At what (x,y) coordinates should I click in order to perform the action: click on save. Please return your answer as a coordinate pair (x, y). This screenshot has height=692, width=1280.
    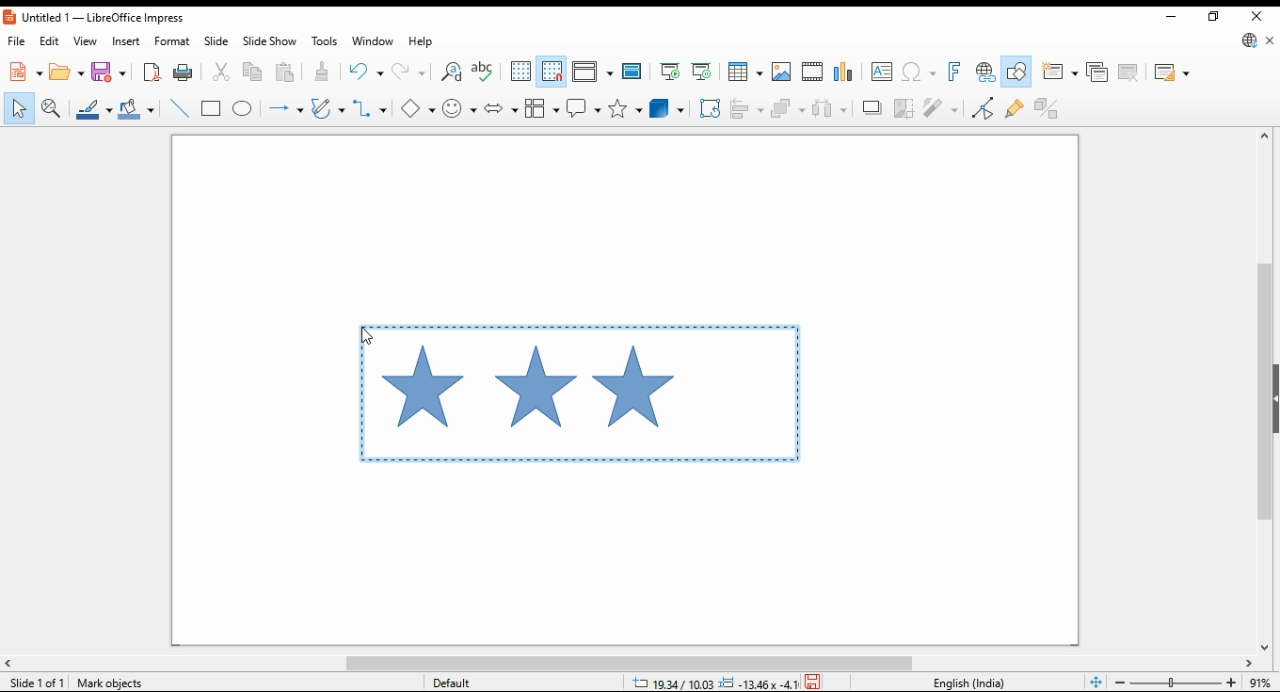
    Looking at the image, I should click on (812, 681).